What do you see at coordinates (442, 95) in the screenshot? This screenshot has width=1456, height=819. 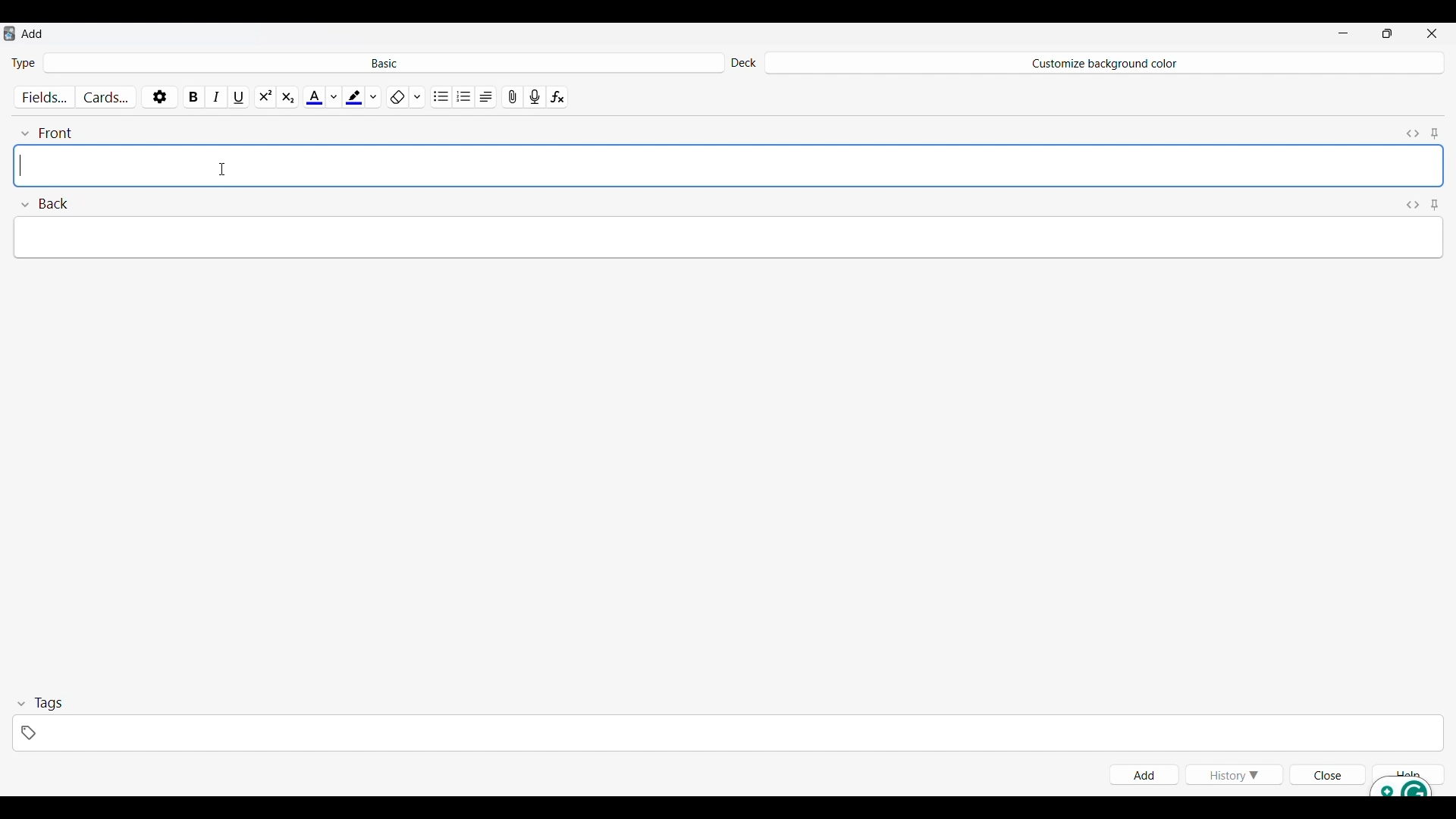 I see `Unordered list` at bounding box center [442, 95].